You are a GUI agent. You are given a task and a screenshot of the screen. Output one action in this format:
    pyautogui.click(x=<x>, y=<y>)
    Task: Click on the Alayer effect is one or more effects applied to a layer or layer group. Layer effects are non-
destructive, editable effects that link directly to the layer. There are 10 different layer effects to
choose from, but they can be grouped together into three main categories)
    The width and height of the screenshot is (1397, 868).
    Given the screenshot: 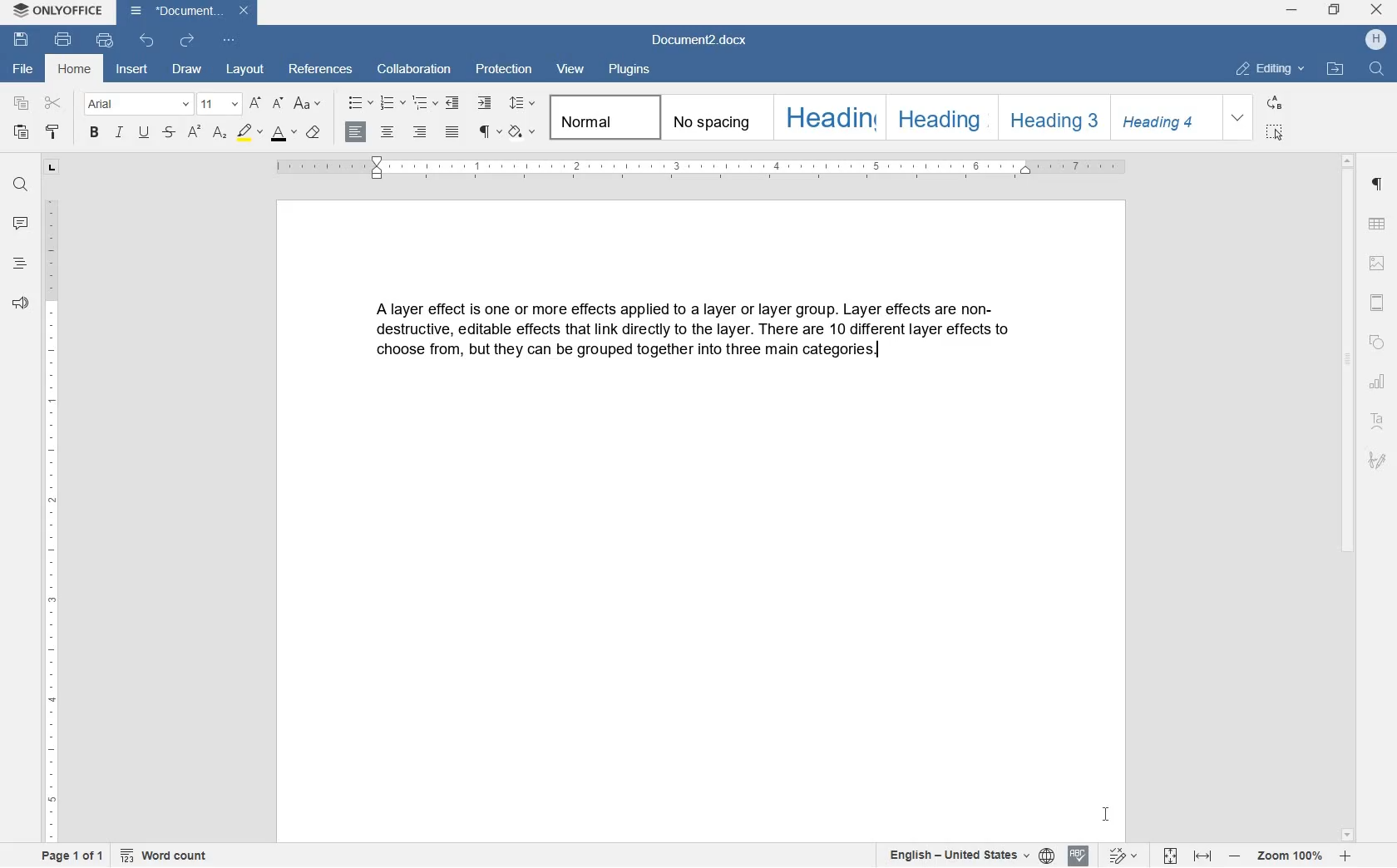 What is the action you would take?
    pyautogui.click(x=694, y=334)
    